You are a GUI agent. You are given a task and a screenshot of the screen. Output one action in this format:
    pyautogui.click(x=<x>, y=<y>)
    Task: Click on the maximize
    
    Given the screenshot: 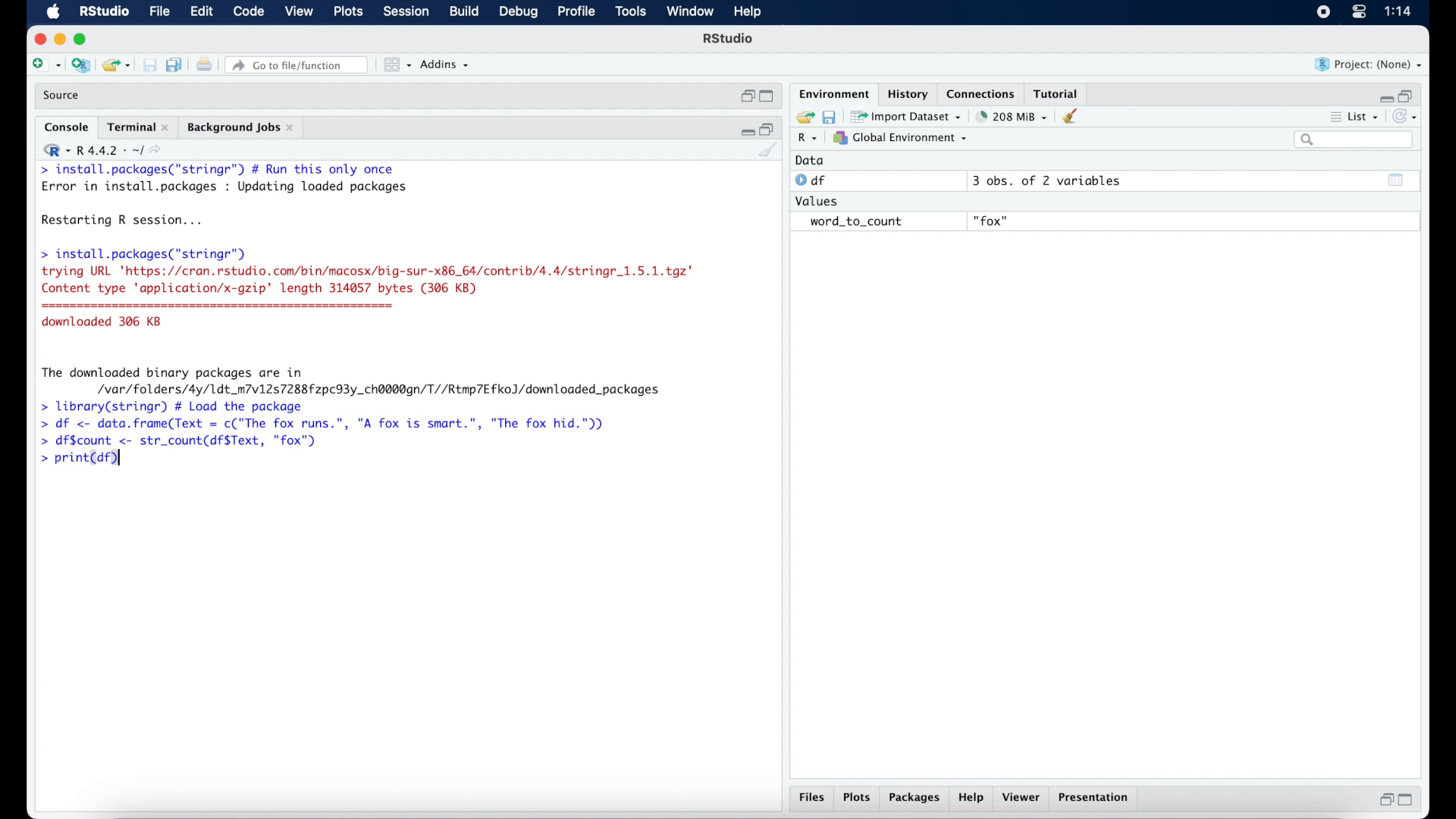 What is the action you would take?
    pyautogui.click(x=83, y=39)
    